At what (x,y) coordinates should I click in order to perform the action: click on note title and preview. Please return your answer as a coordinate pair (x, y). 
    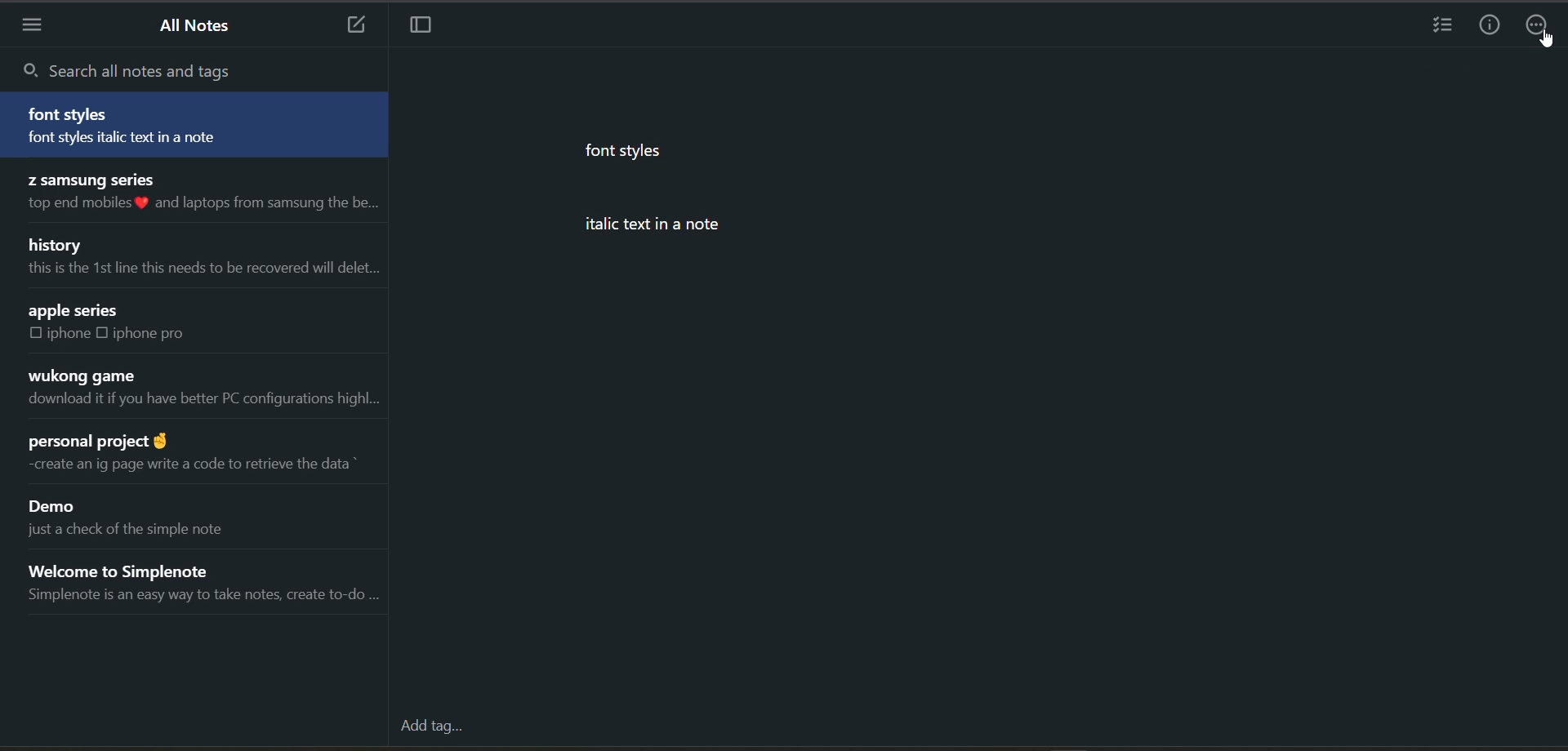
    Looking at the image, I should click on (210, 583).